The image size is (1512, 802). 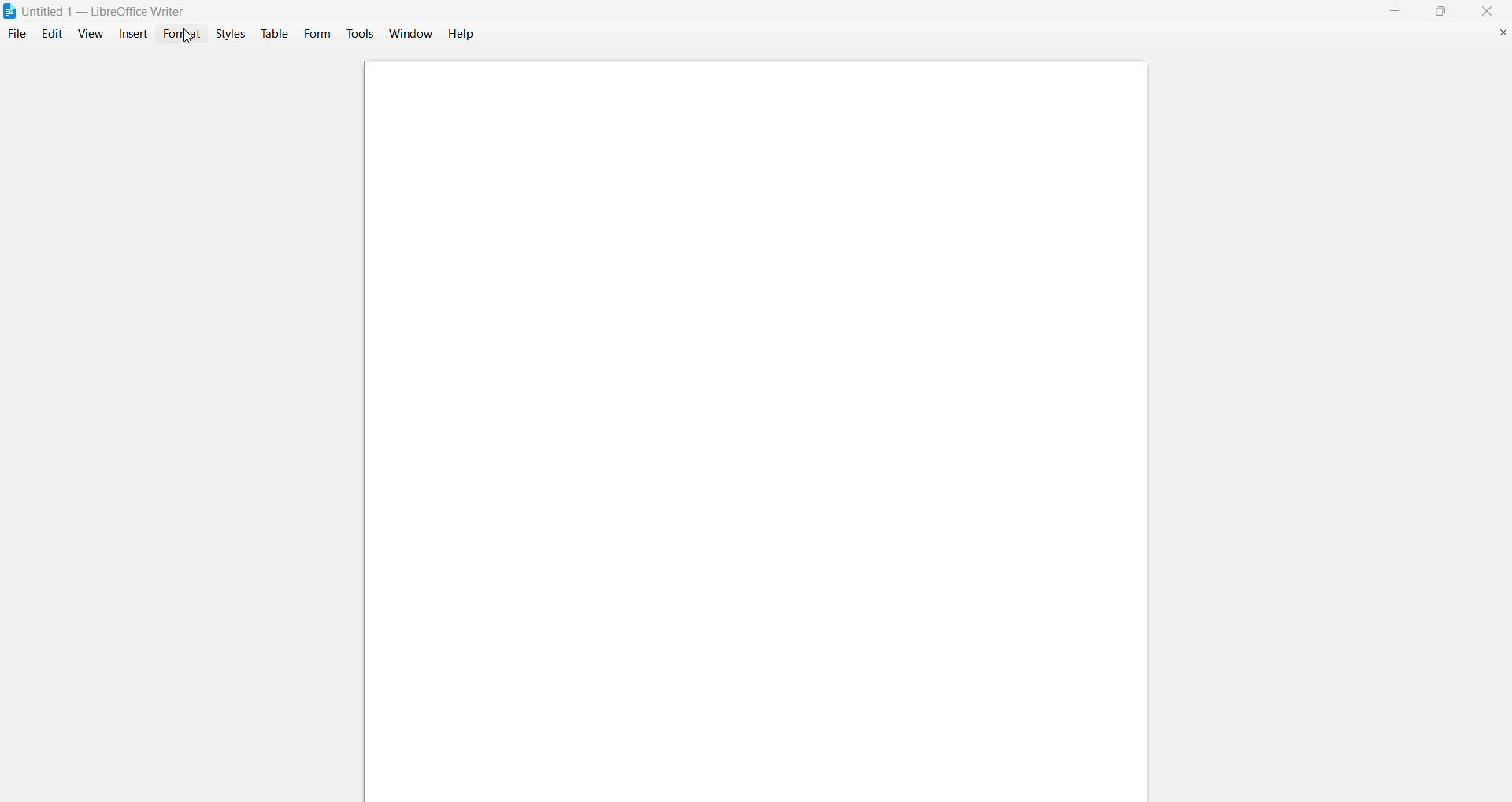 I want to click on tools, so click(x=360, y=32).